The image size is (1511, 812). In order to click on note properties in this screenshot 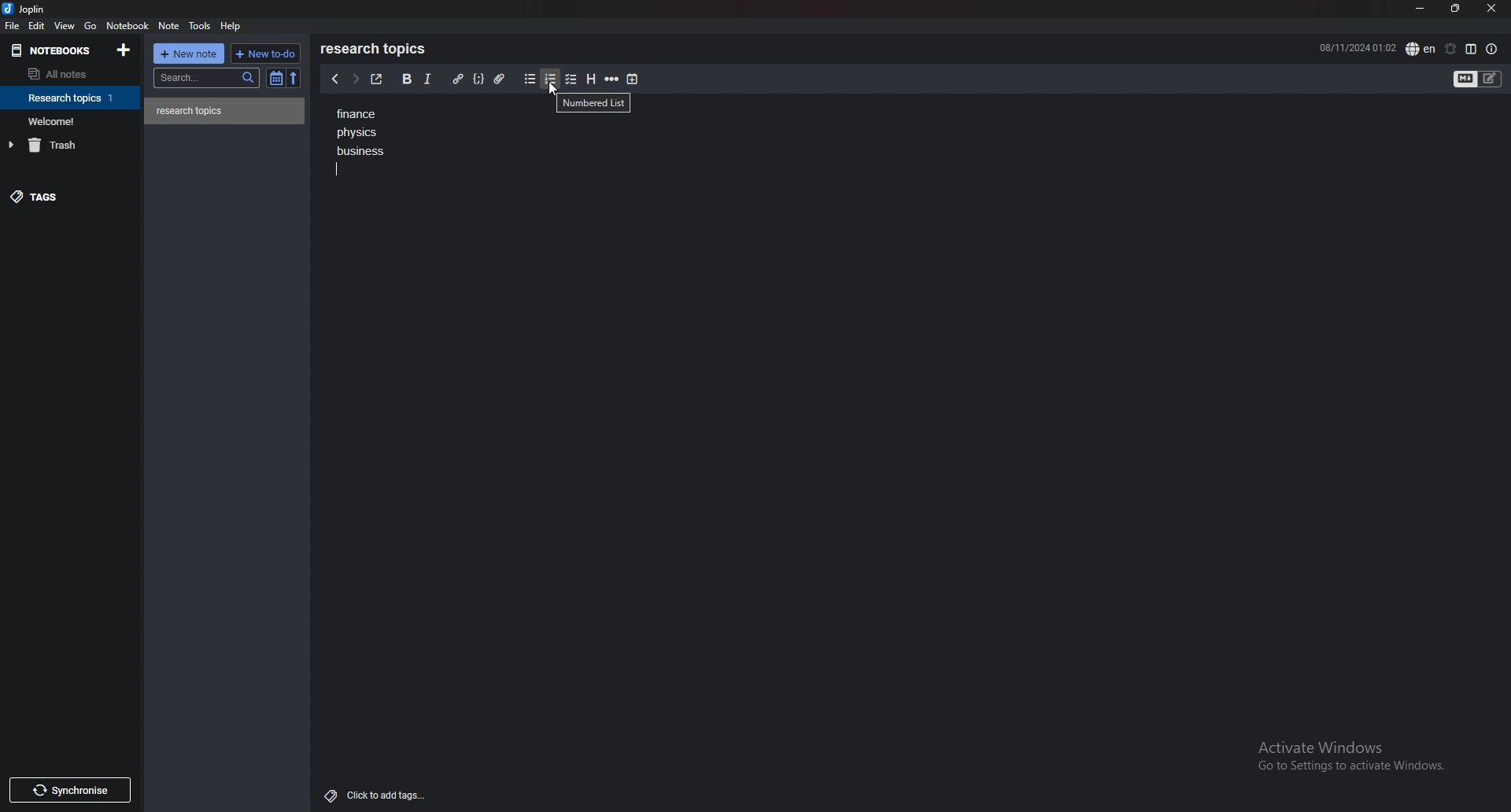, I will do `click(1492, 49)`.